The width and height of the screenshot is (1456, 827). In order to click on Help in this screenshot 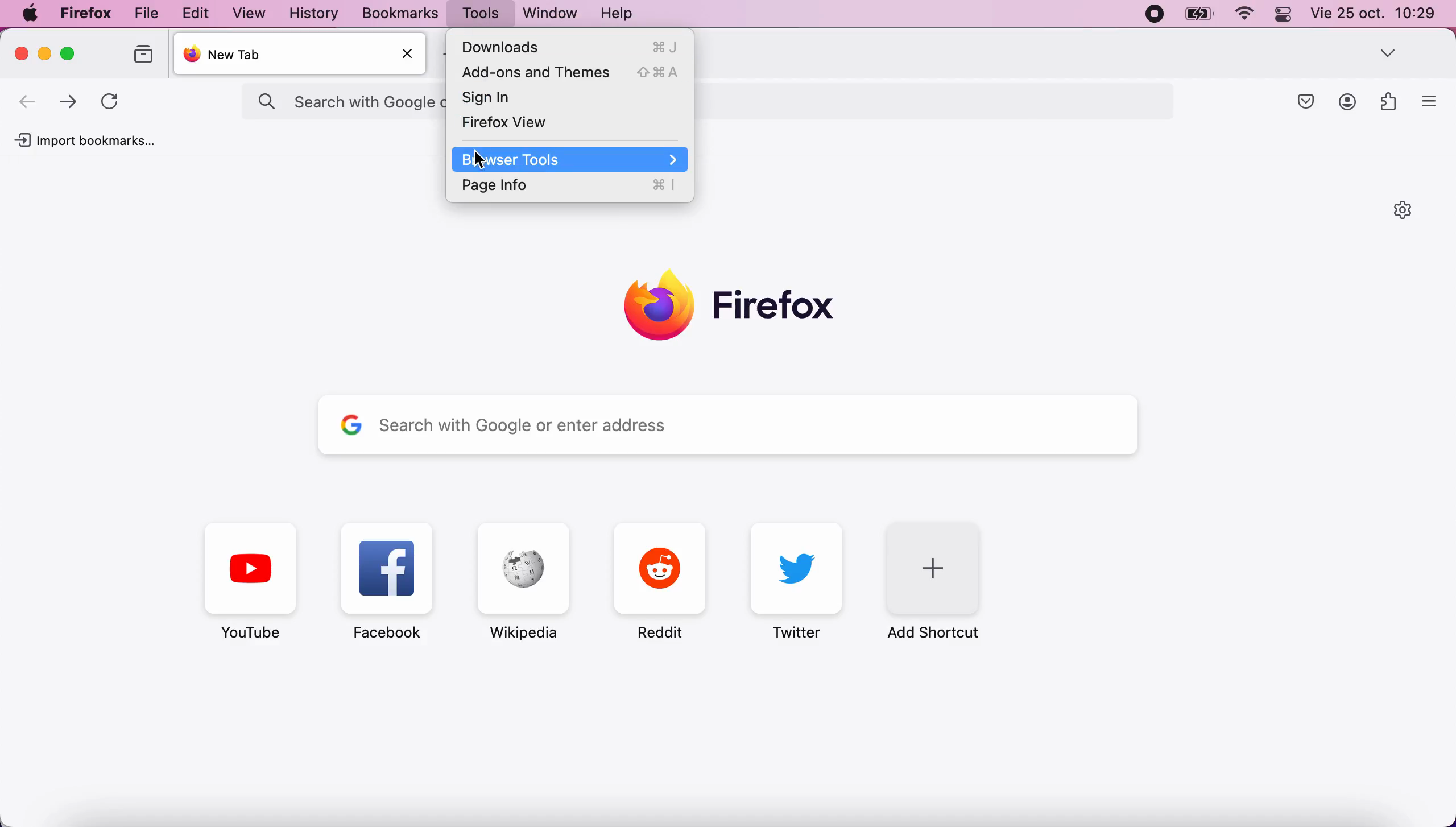, I will do `click(617, 12)`.